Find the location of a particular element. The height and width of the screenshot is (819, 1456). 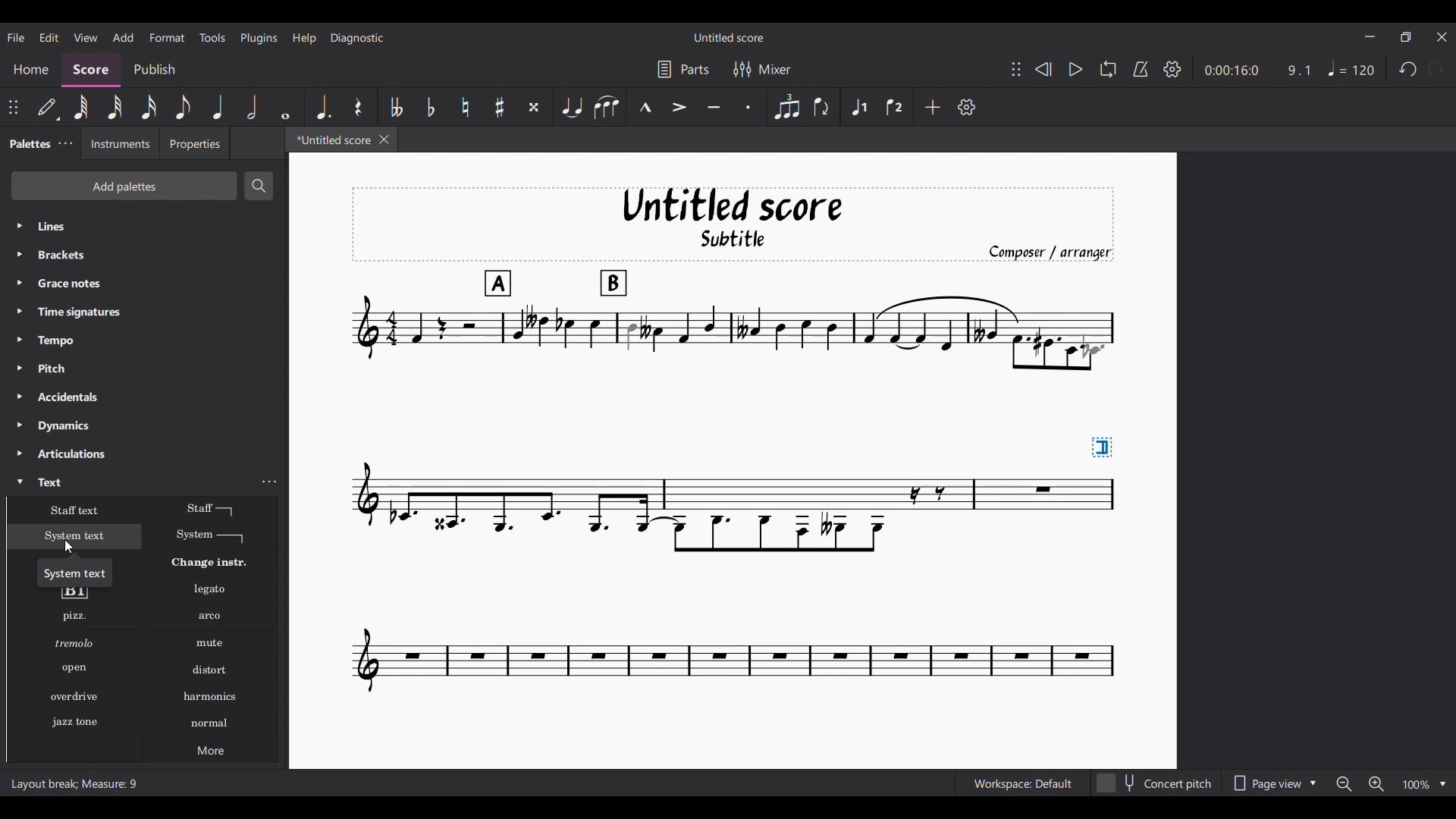

Time signatures is located at coordinates (145, 312).